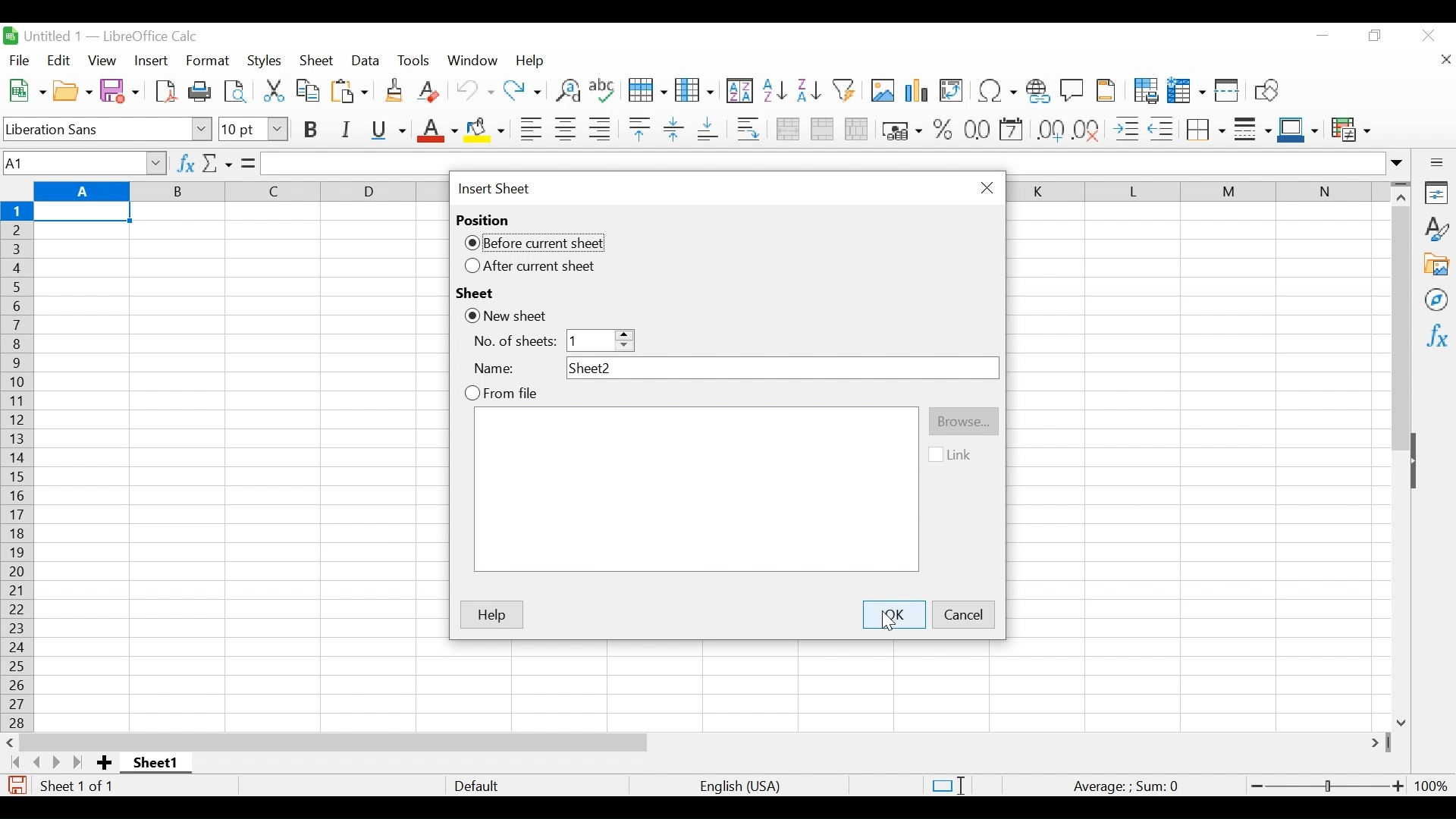 The image size is (1456, 819). I want to click on Close, so click(1427, 37).